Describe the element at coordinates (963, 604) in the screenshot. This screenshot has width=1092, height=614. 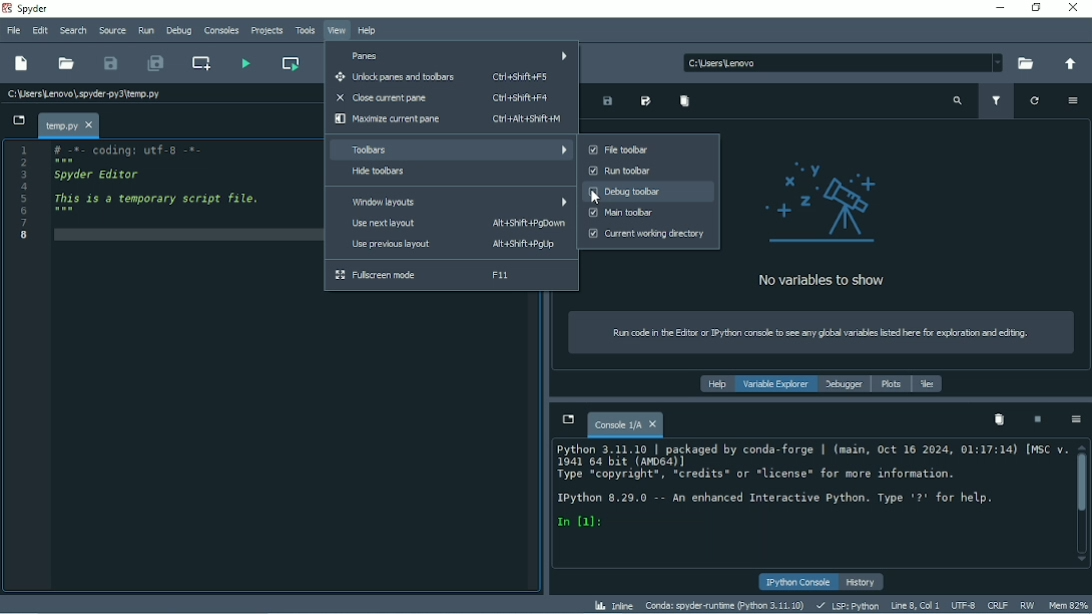
I see `UTF` at that location.